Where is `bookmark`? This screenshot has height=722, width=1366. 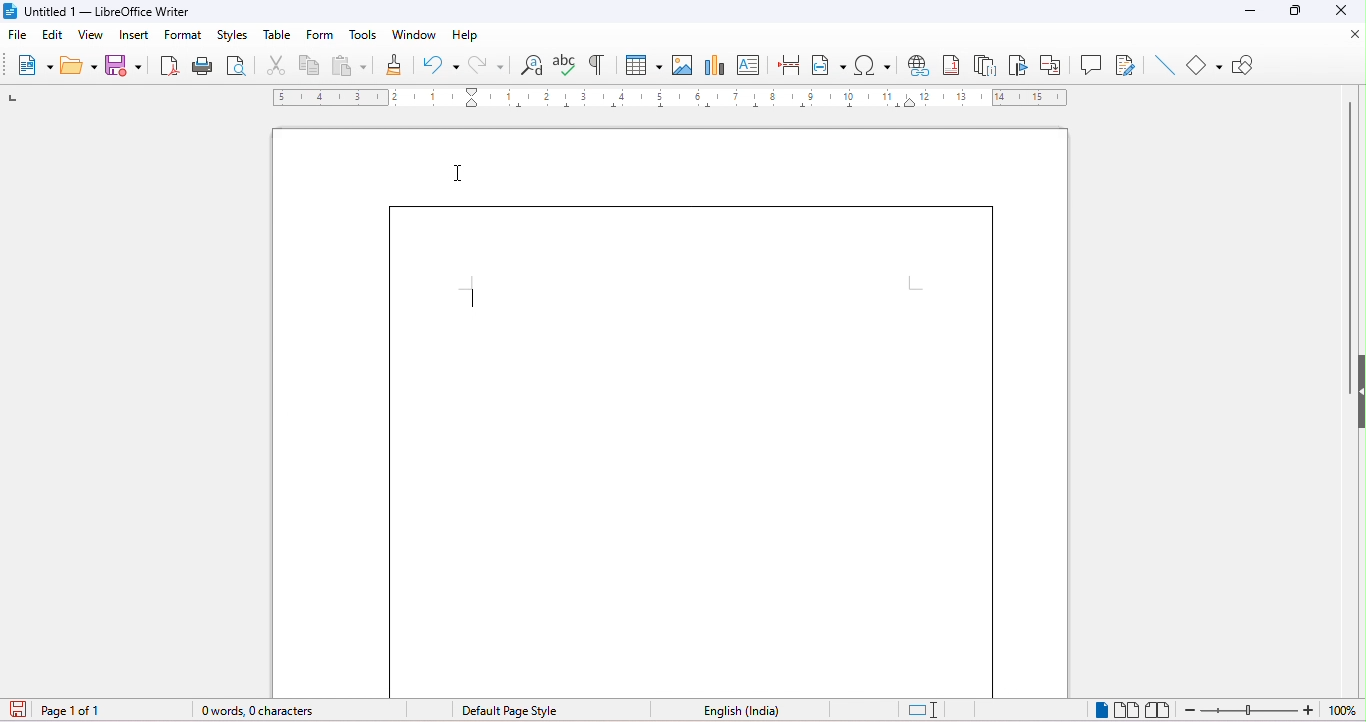
bookmark is located at coordinates (1019, 67).